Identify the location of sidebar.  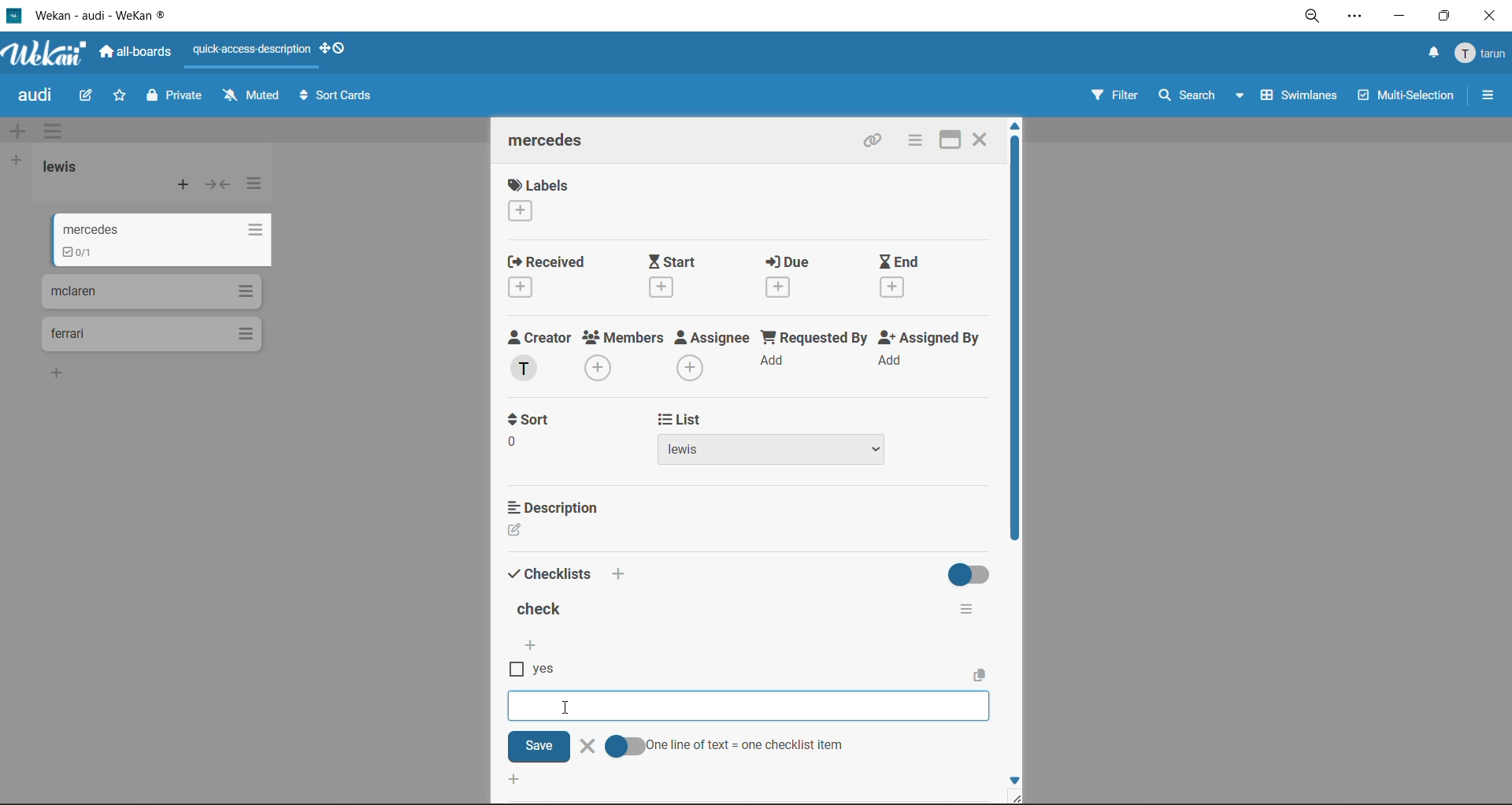
(1488, 95).